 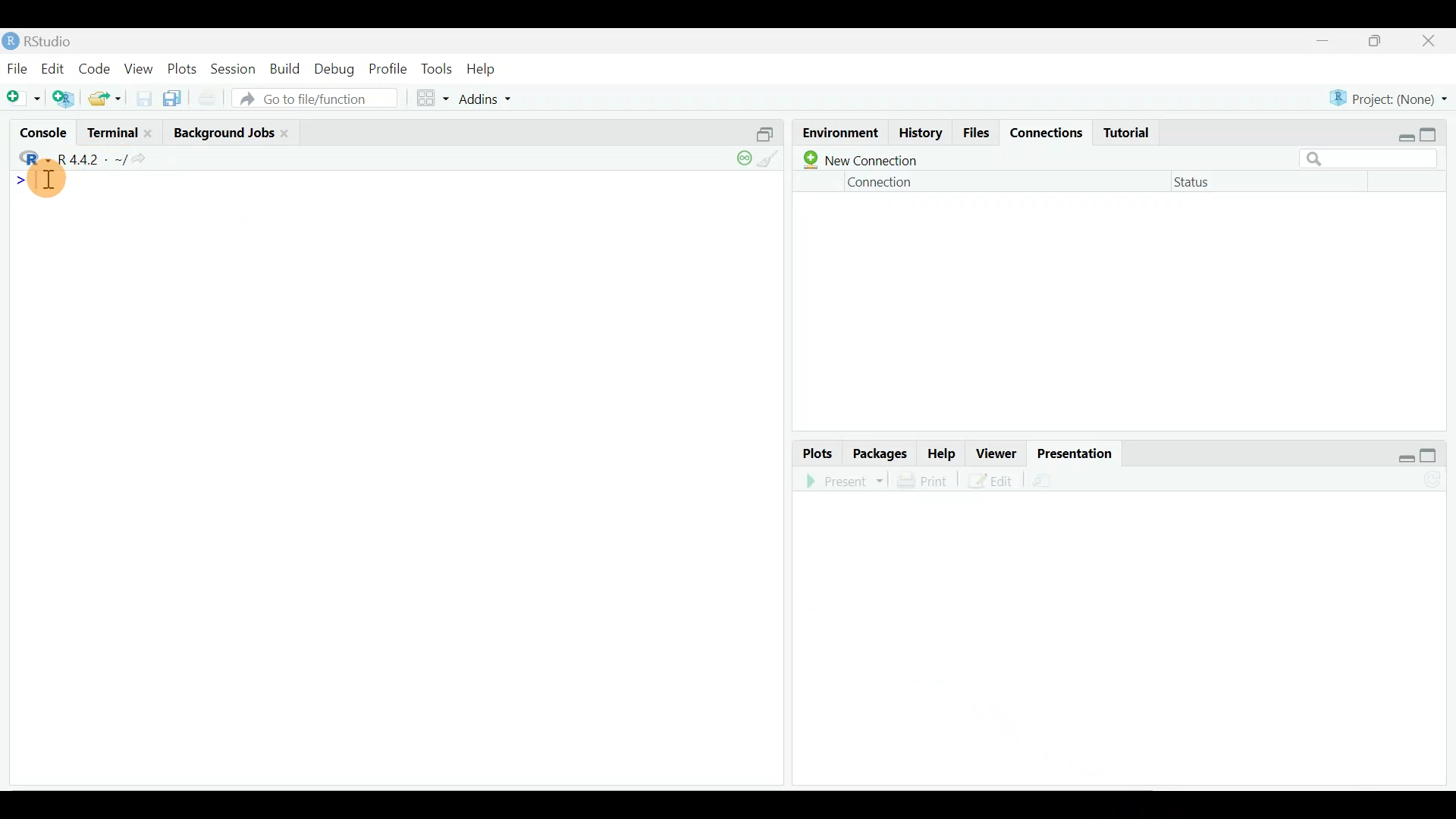 I want to click on Go to file/function, so click(x=313, y=99).